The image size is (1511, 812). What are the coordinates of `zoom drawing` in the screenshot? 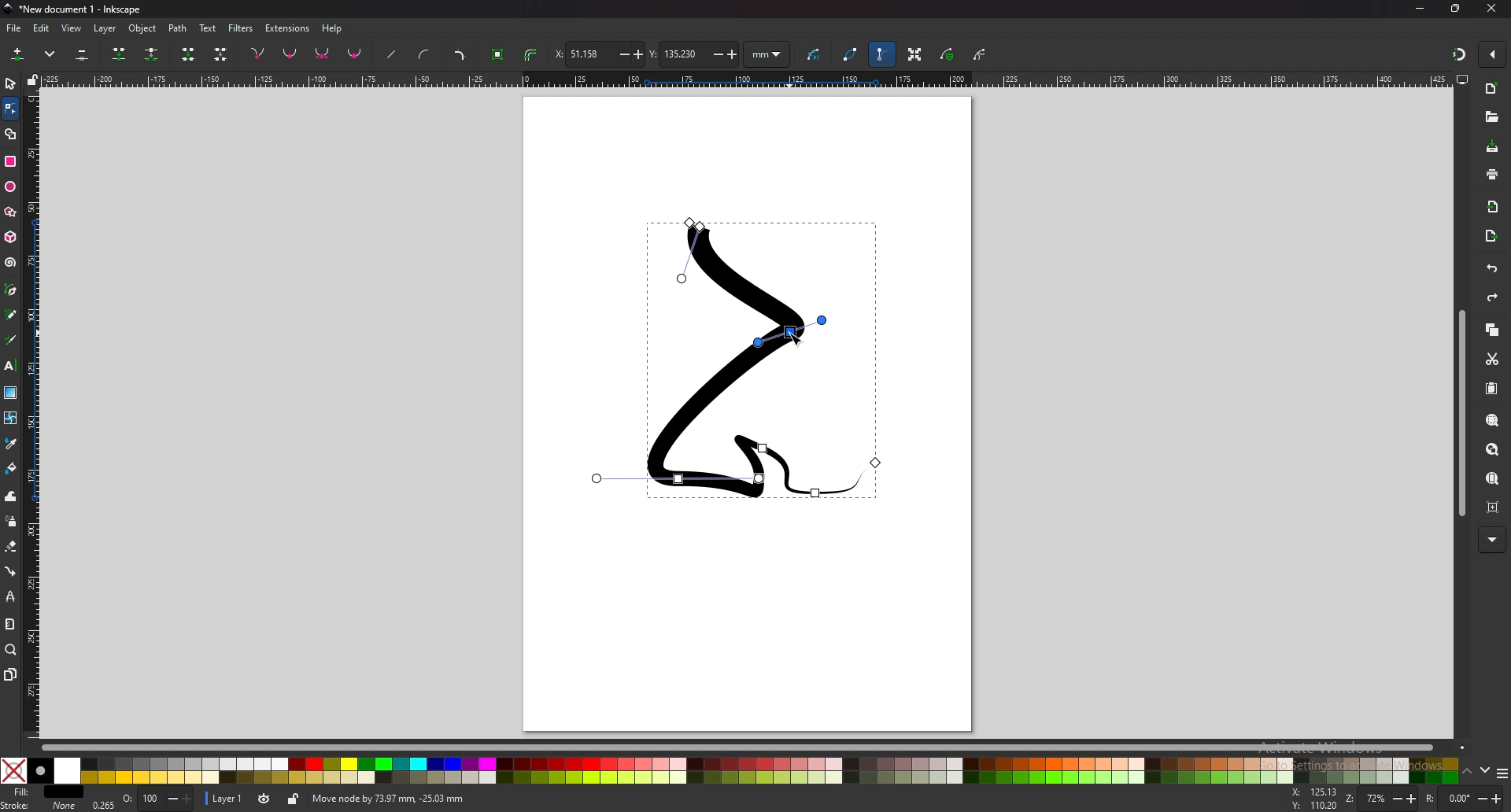 It's located at (1491, 450).